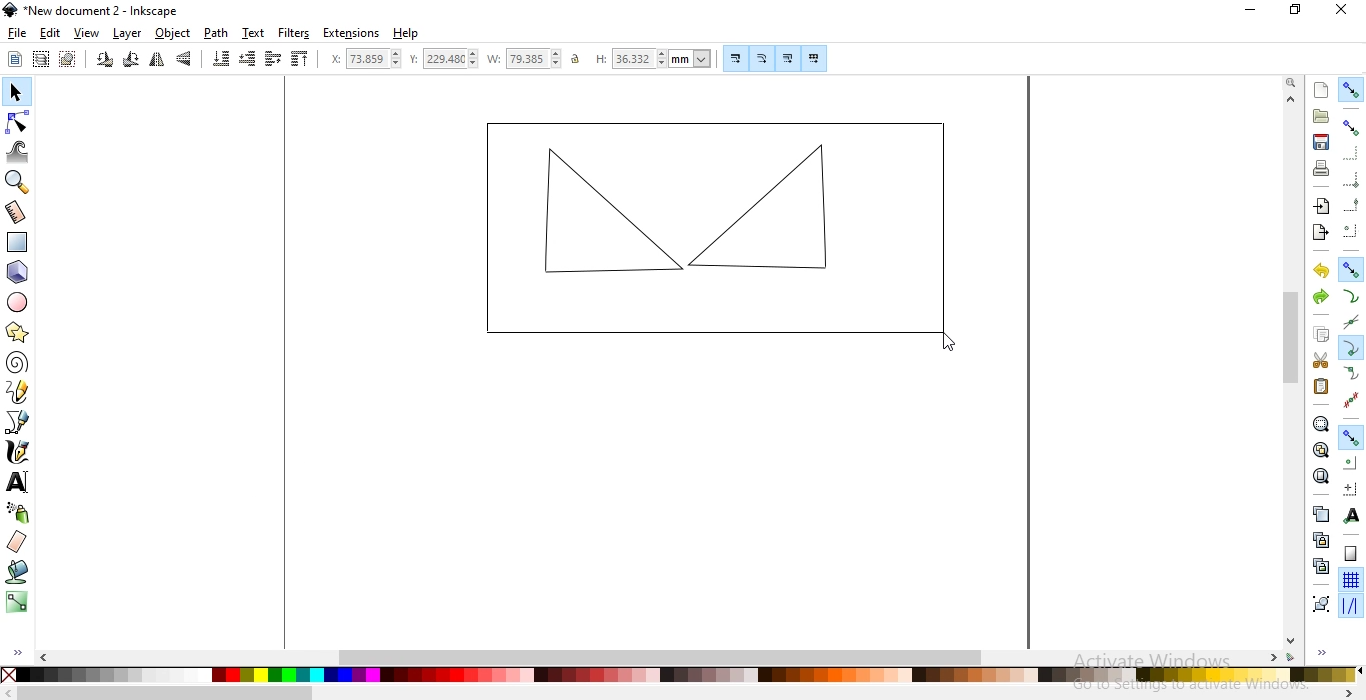 The width and height of the screenshot is (1366, 700). Describe the element at coordinates (1352, 91) in the screenshot. I see `enable snapping` at that location.